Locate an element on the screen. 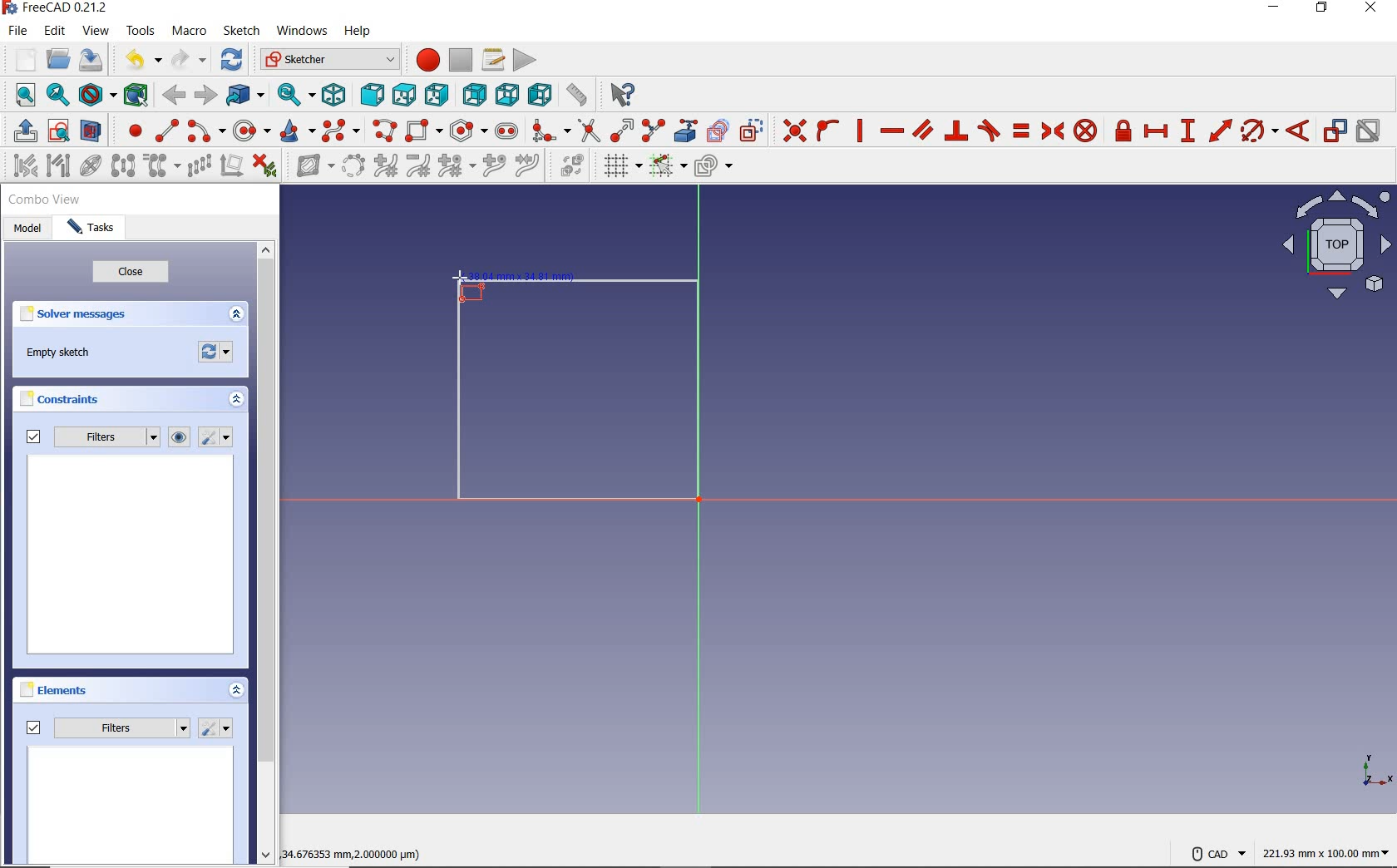 The image size is (1397, 868). constrain horizontally is located at coordinates (891, 131).